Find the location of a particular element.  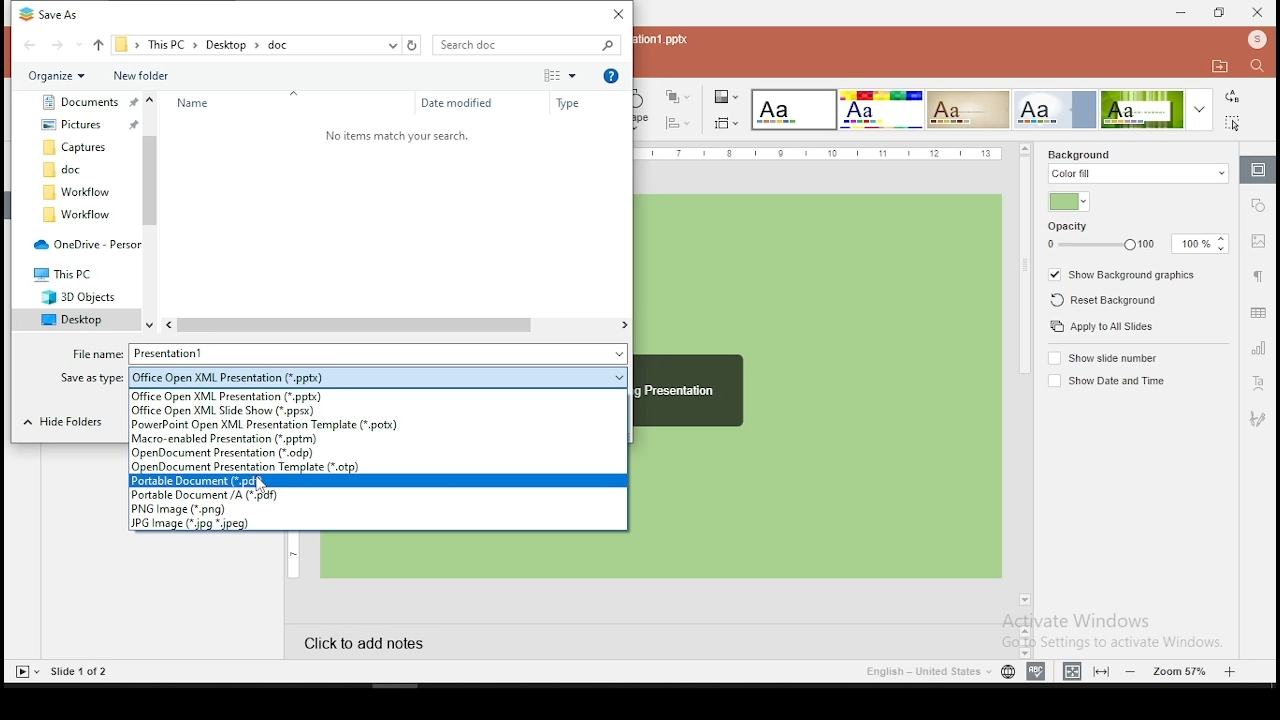

Date Modified is located at coordinates (457, 102).